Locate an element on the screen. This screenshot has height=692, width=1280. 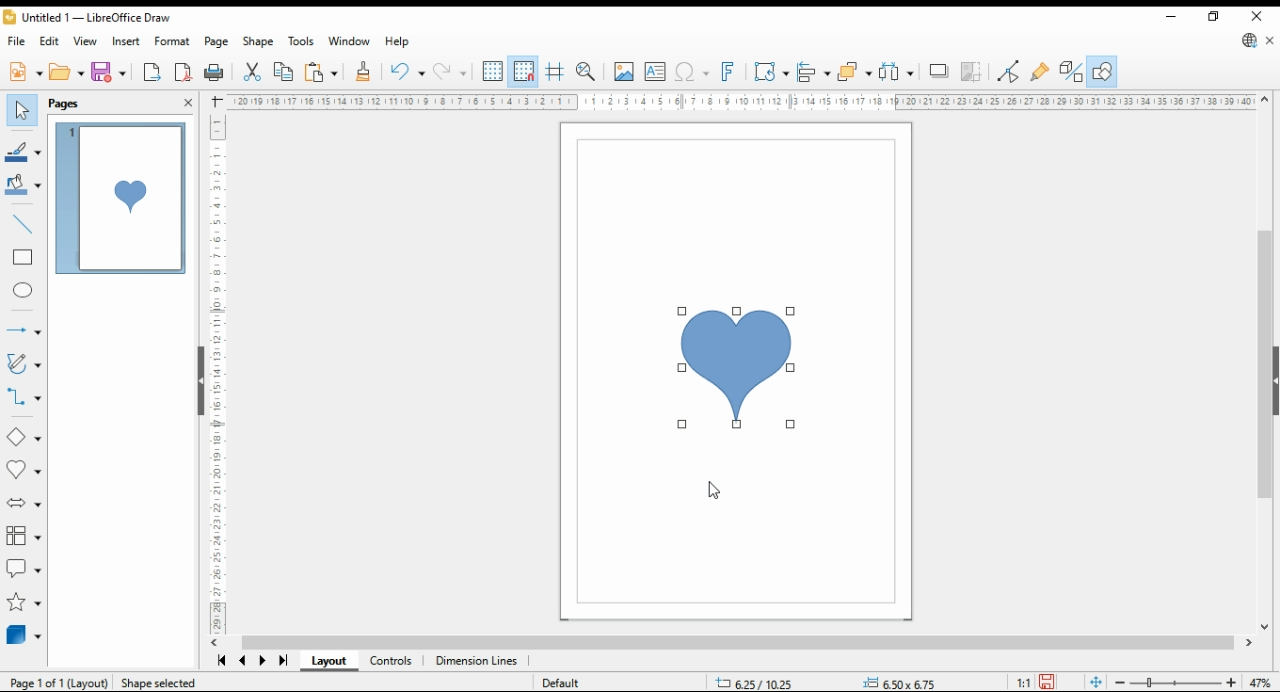
hide button is located at coordinates (204, 380).